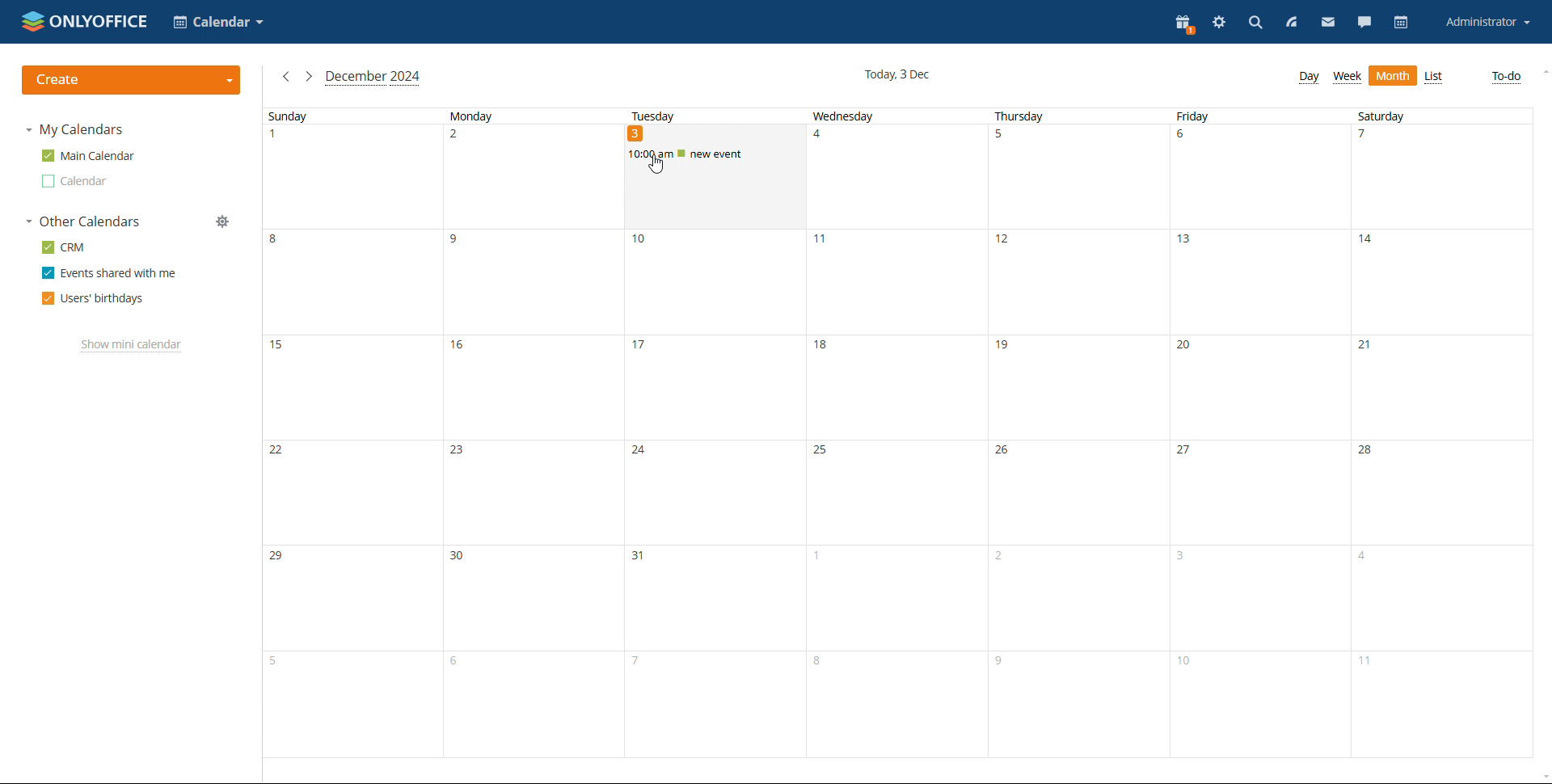  Describe the element at coordinates (285, 77) in the screenshot. I see `previous month` at that location.